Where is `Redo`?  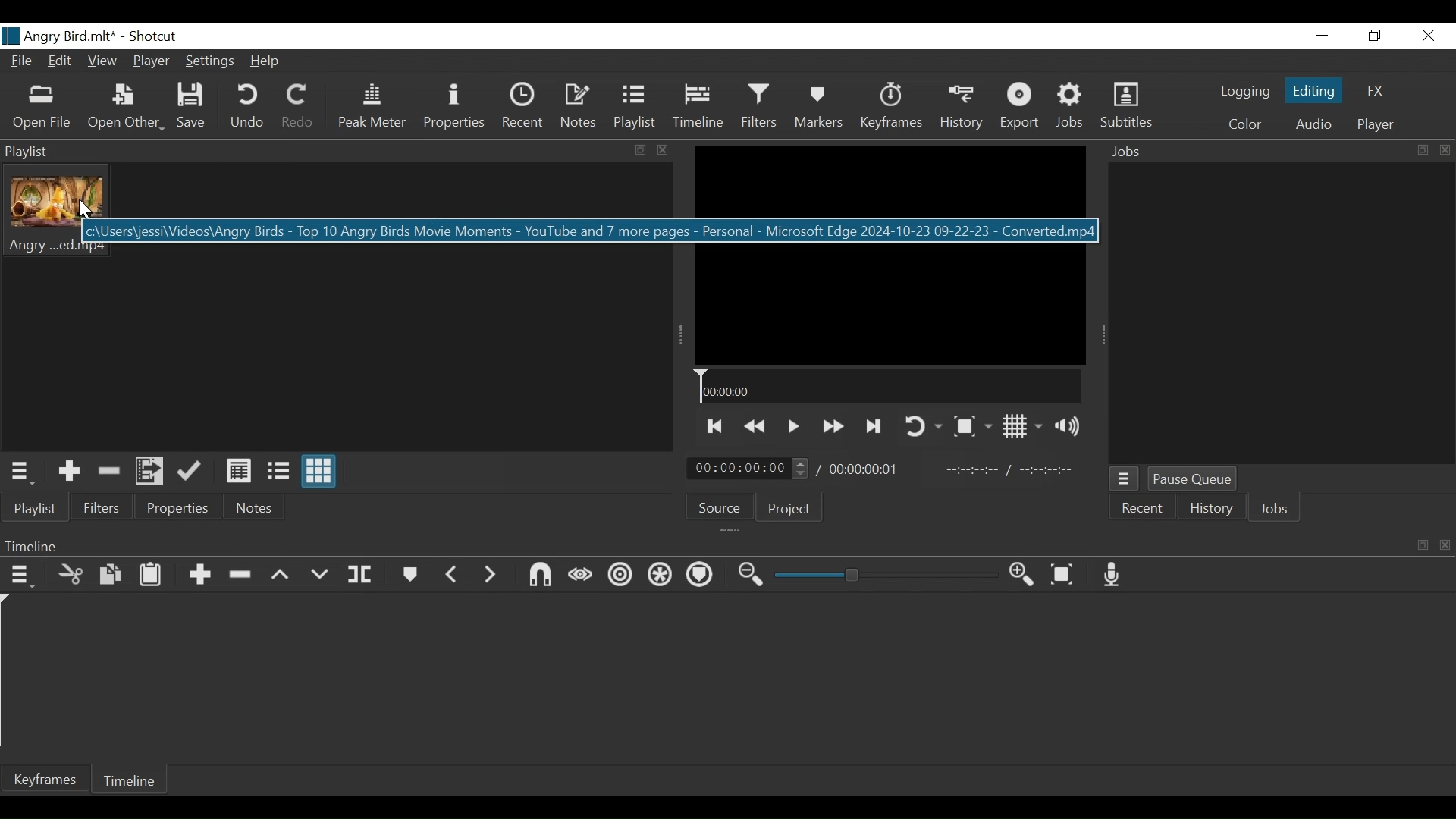
Redo is located at coordinates (300, 106).